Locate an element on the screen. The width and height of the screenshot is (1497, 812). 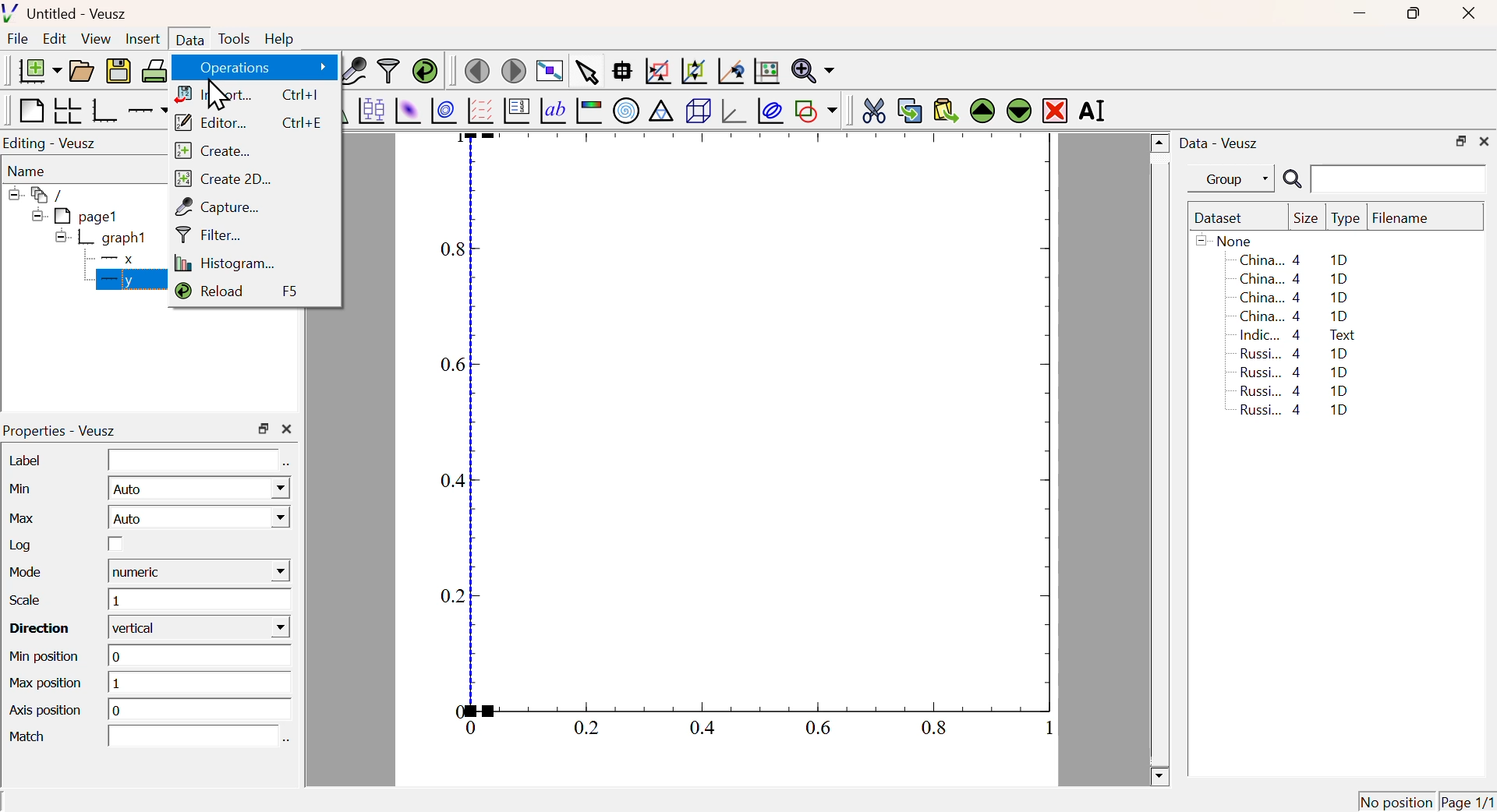
numeric  is located at coordinates (199, 571).